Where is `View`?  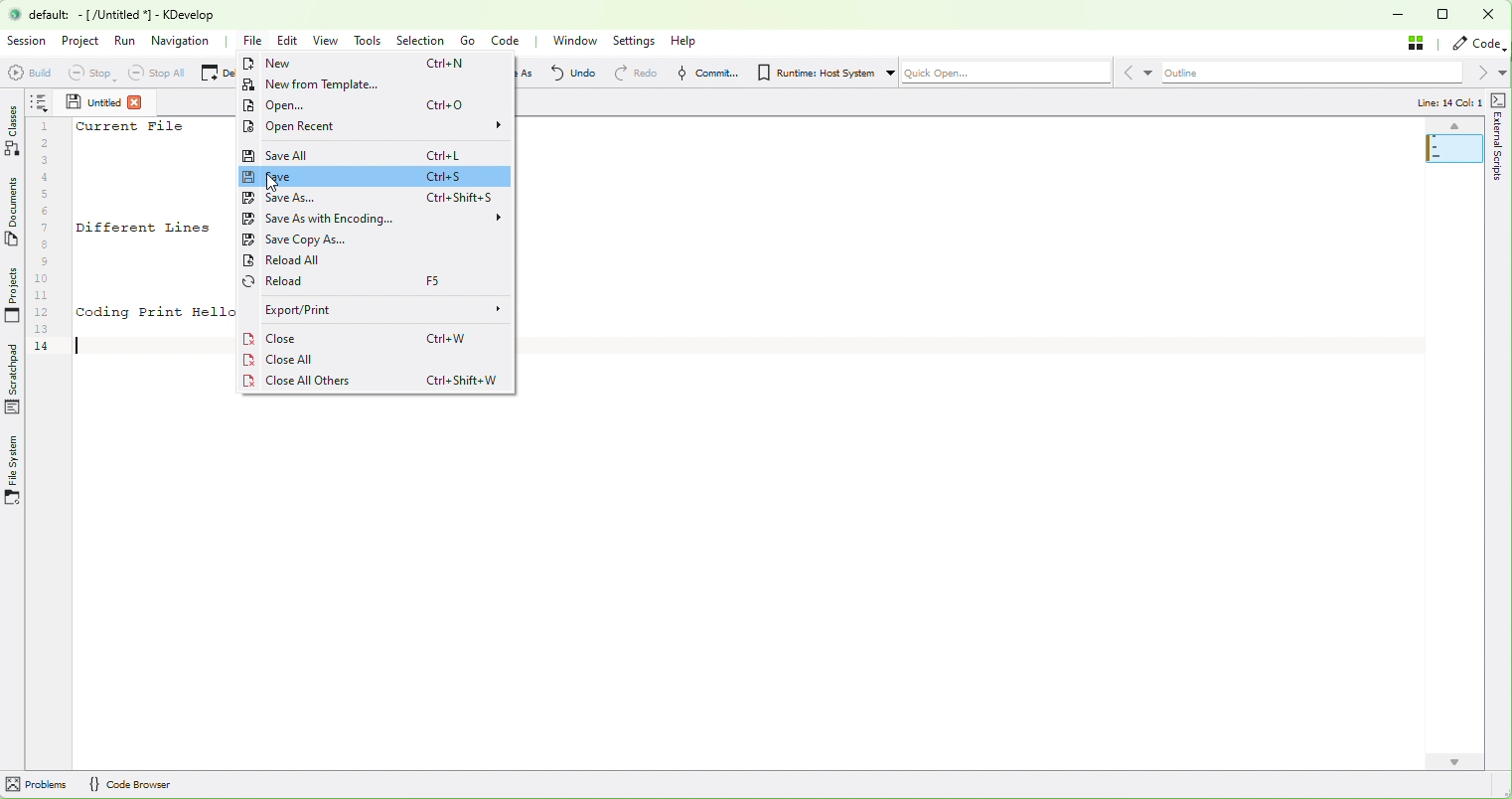 View is located at coordinates (328, 41).